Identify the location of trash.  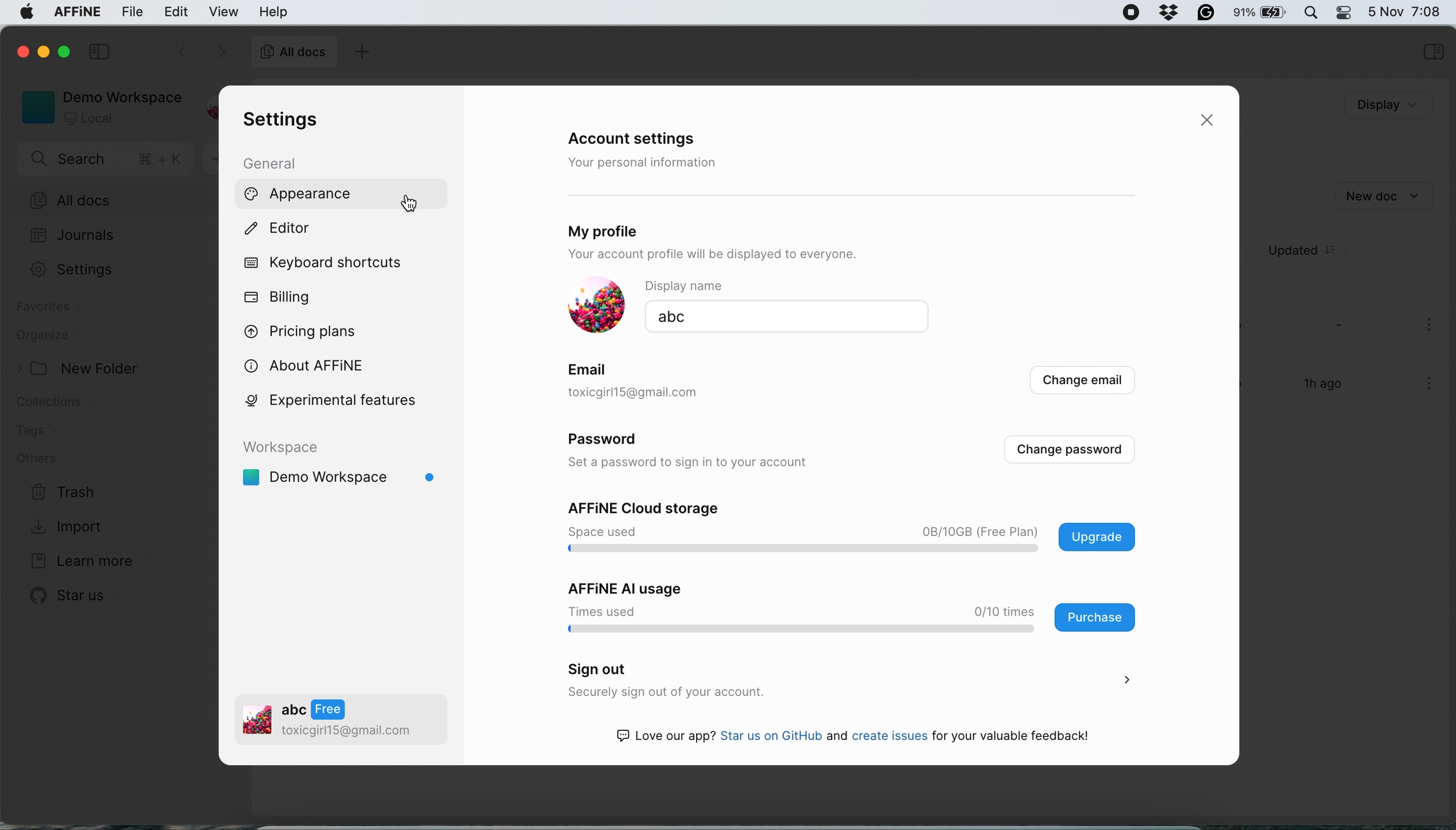
(66, 494).